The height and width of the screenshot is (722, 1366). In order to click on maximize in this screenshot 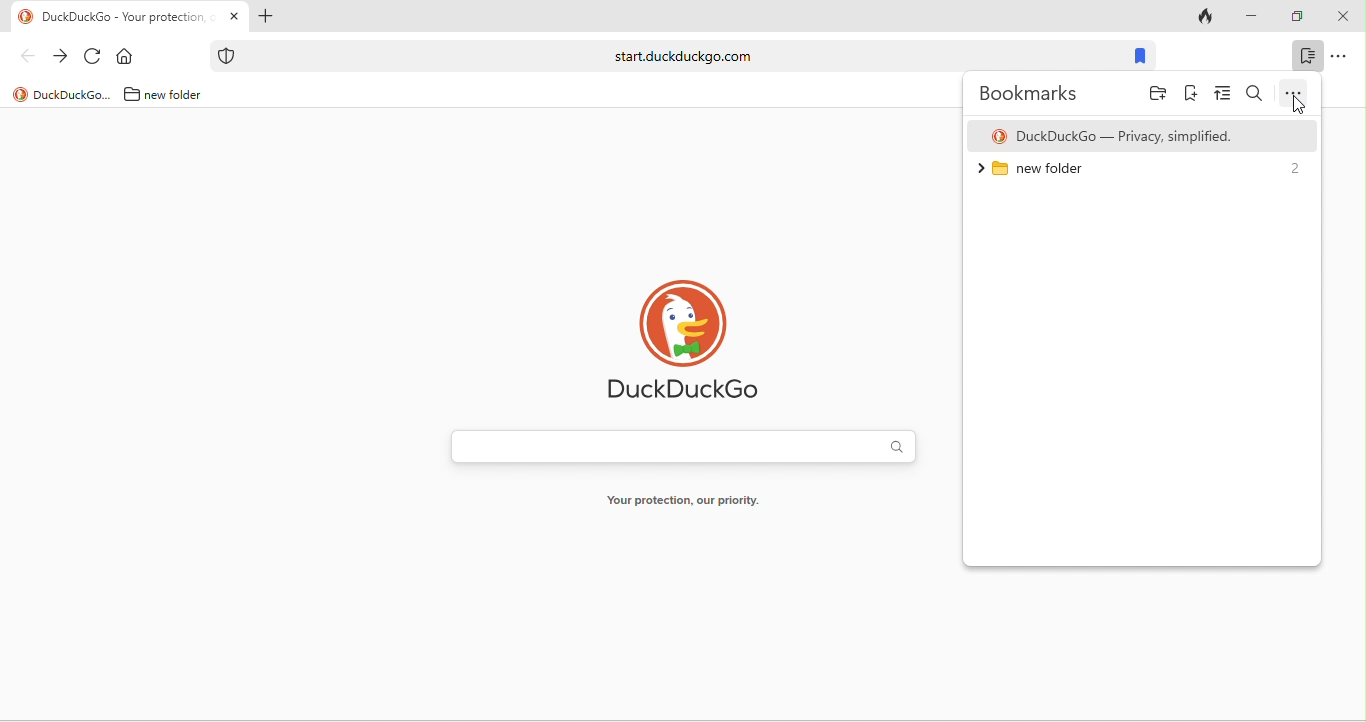, I will do `click(1296, 17)`.